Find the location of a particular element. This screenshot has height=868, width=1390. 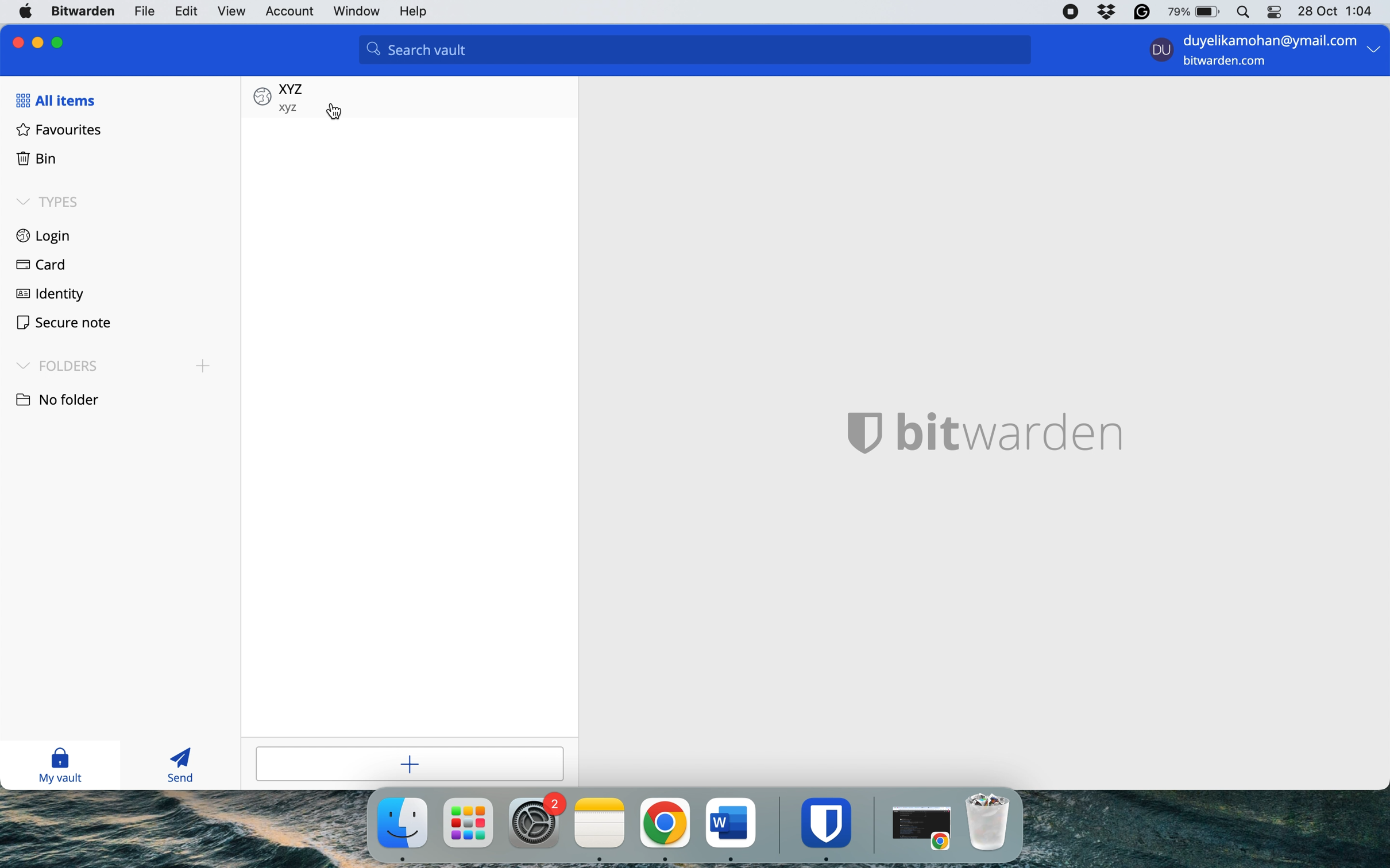

no folder is located at coordinates (67, 398).